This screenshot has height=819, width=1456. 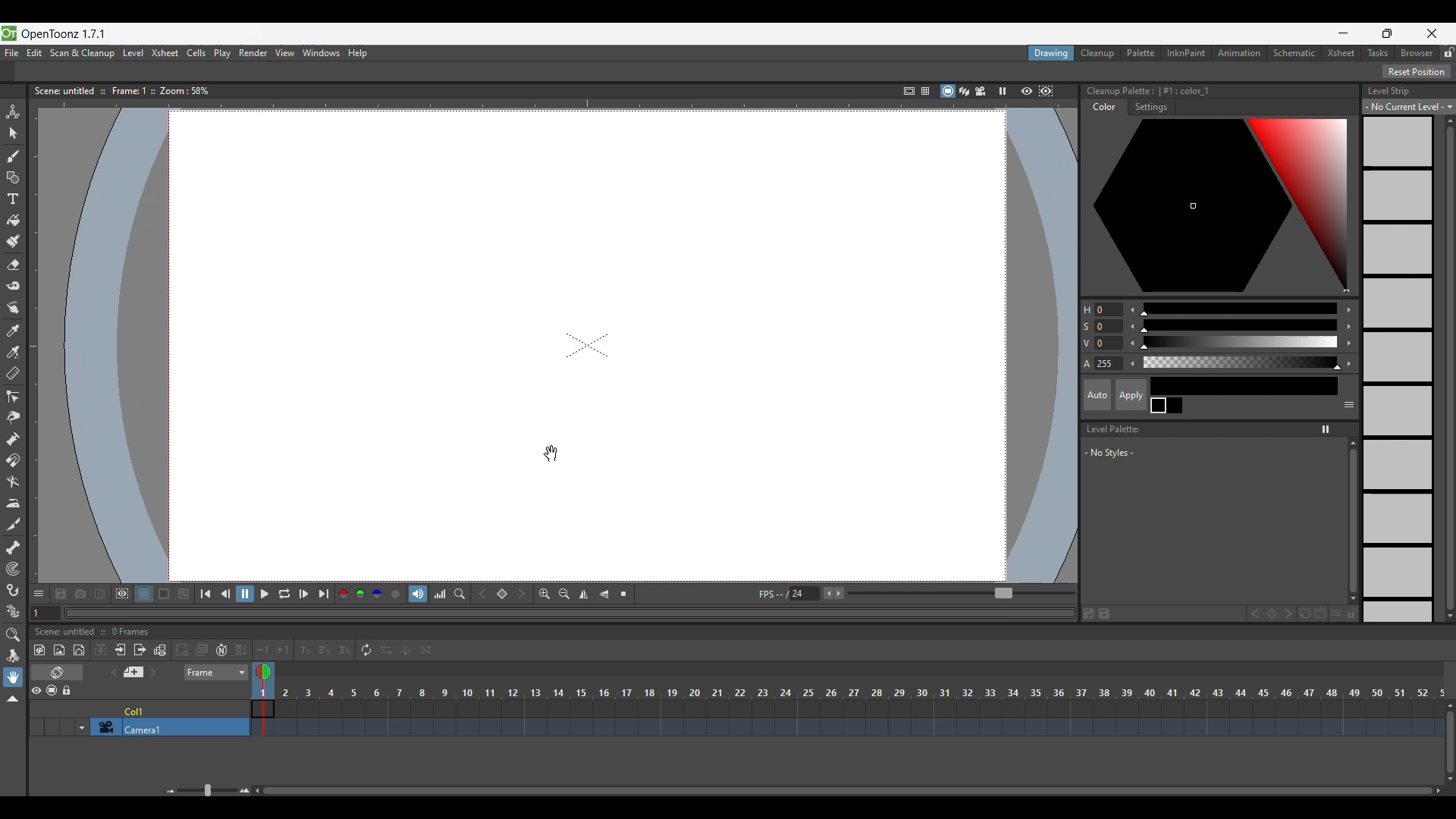 What do you see at coordinates (80, 594) in the screenshot?
I see `Snapshot` at bounding box center [80, 594].